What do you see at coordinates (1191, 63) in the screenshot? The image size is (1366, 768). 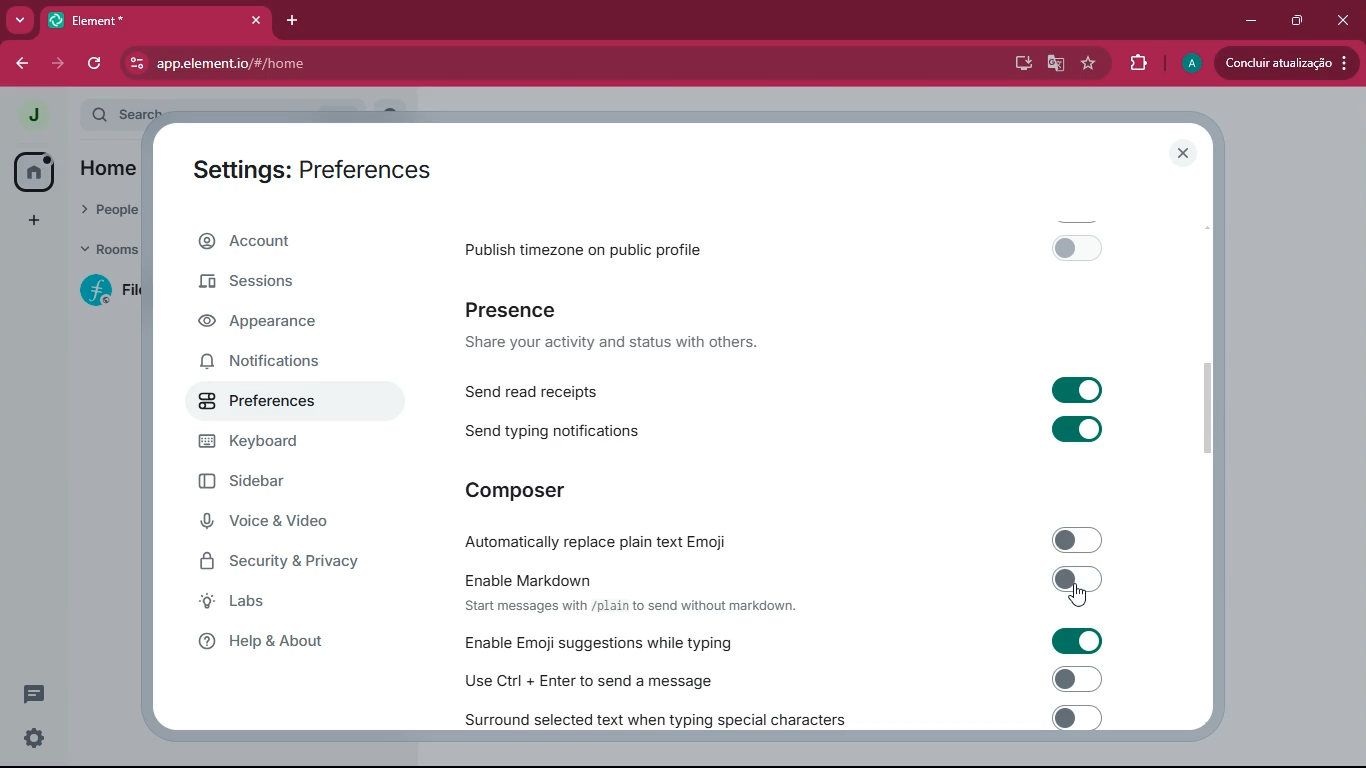 I see `profile` at bounding box center [1191, 63].